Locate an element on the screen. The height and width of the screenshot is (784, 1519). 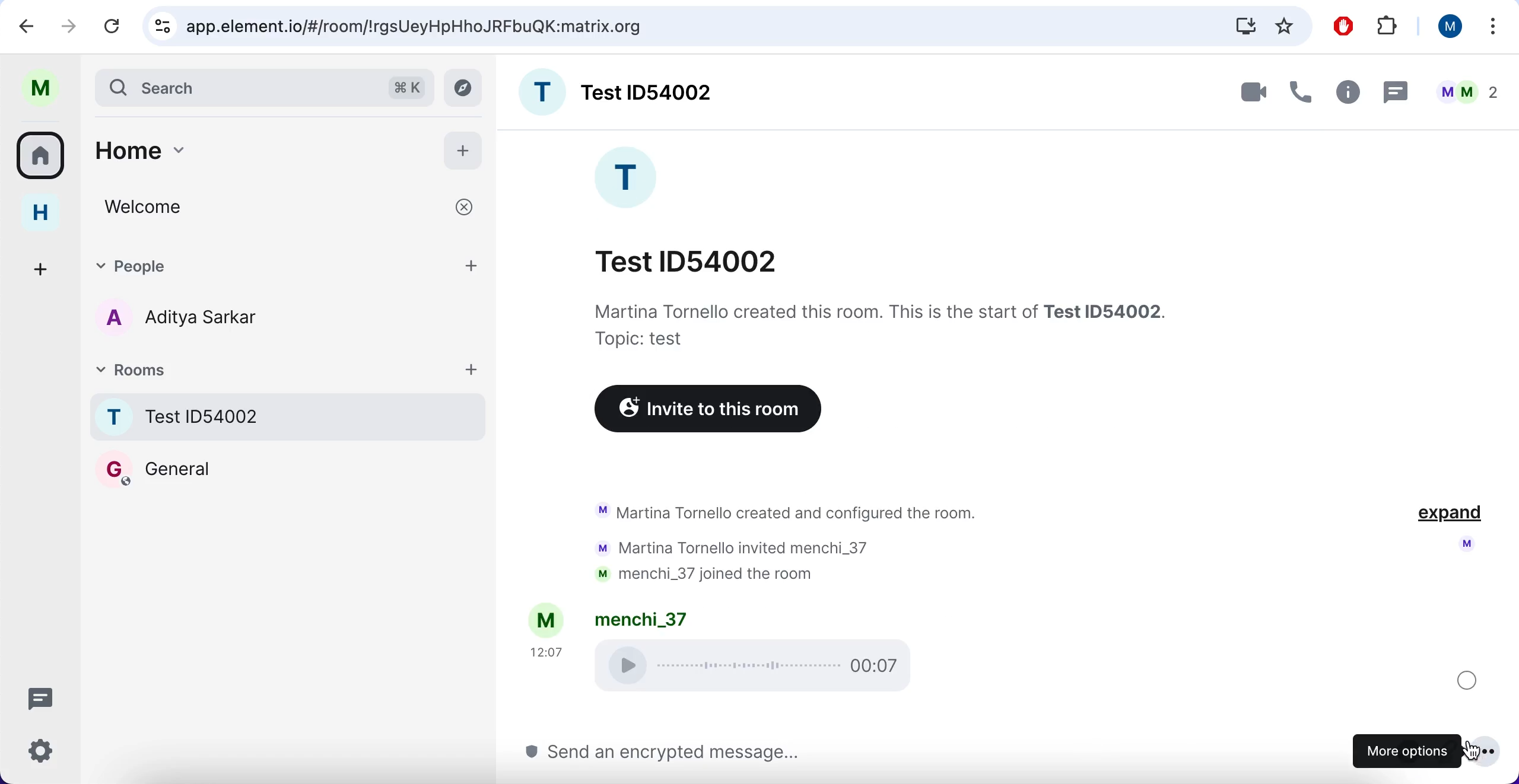
home is located at coordinates (256, 149).